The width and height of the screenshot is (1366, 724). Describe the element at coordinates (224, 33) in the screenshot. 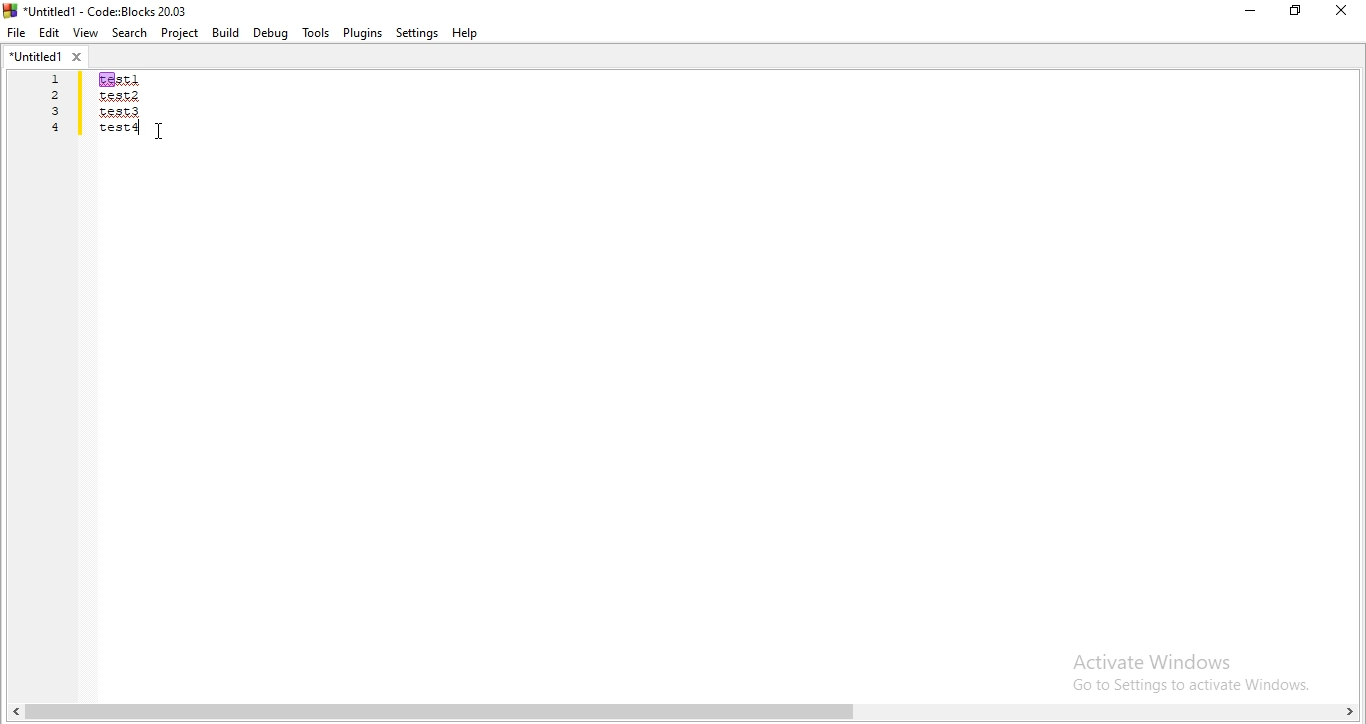

I see `Build ` at that location.